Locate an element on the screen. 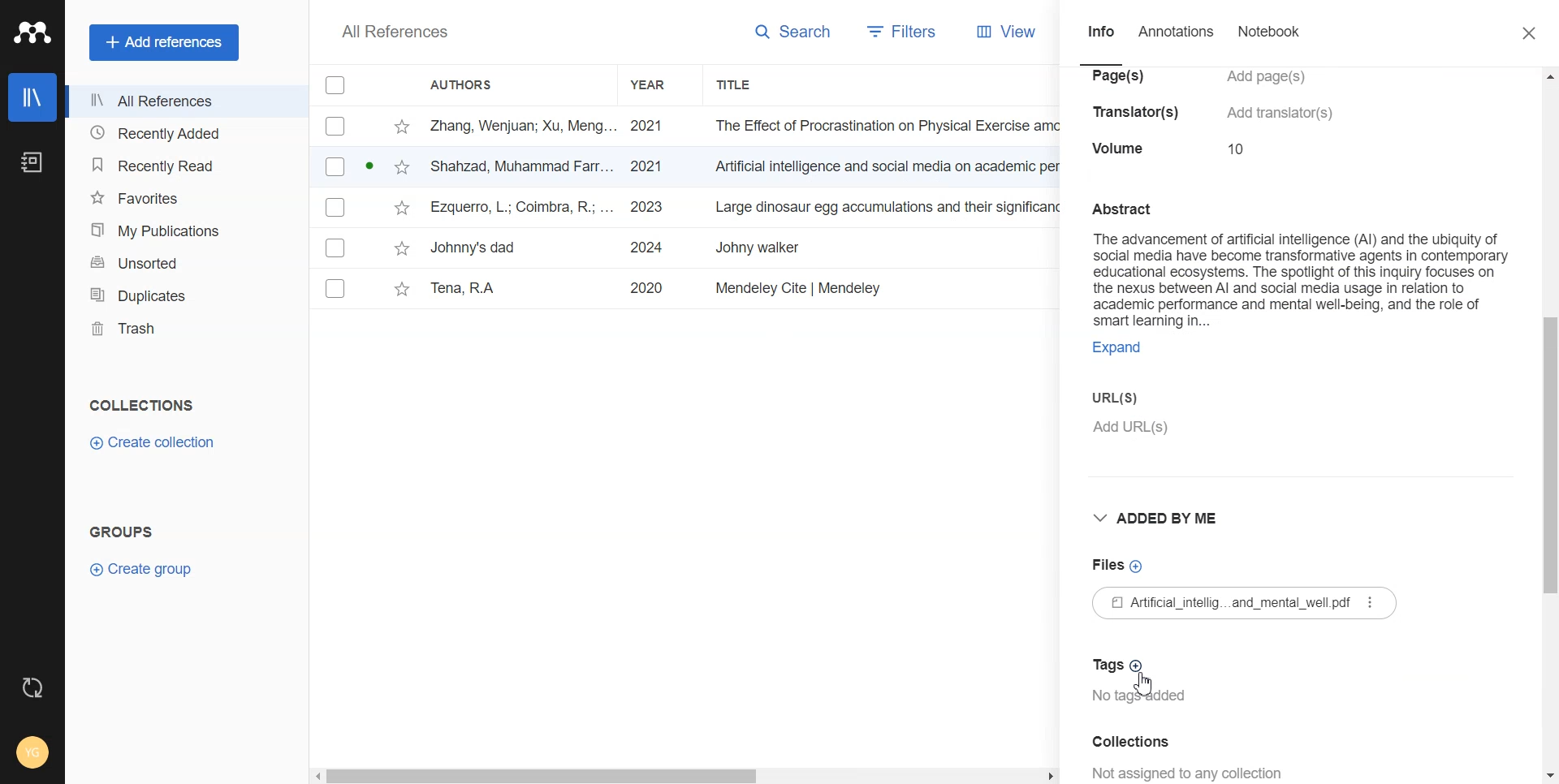  Year is located at coordinates (661, 85).